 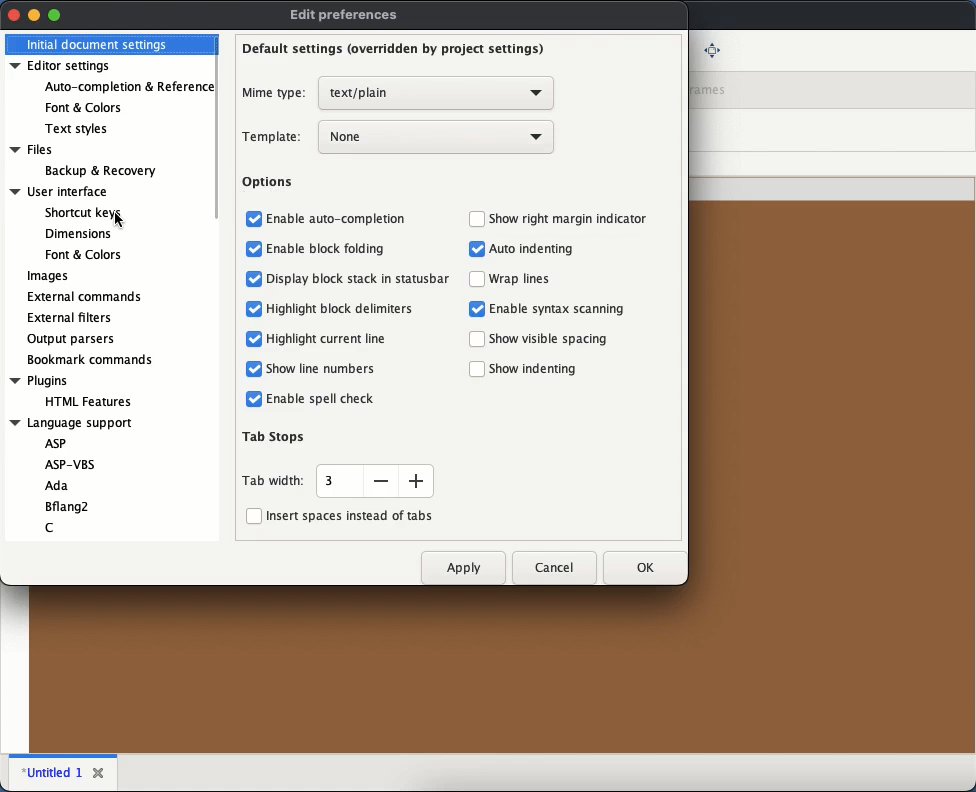 I want to click on close, so click(x=14, y=14).